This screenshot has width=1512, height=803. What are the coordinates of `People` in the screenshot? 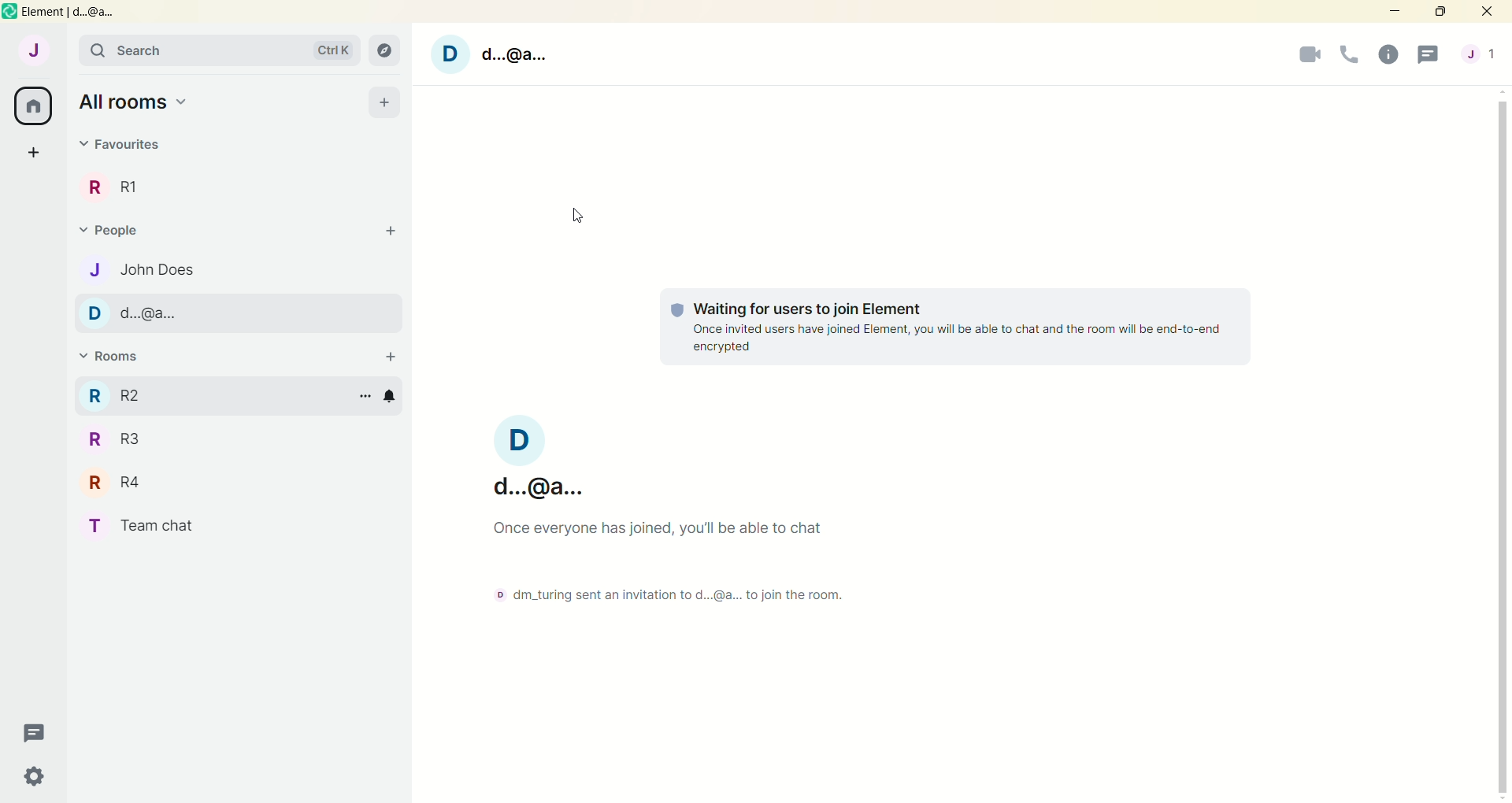 It's located at (121, 145).